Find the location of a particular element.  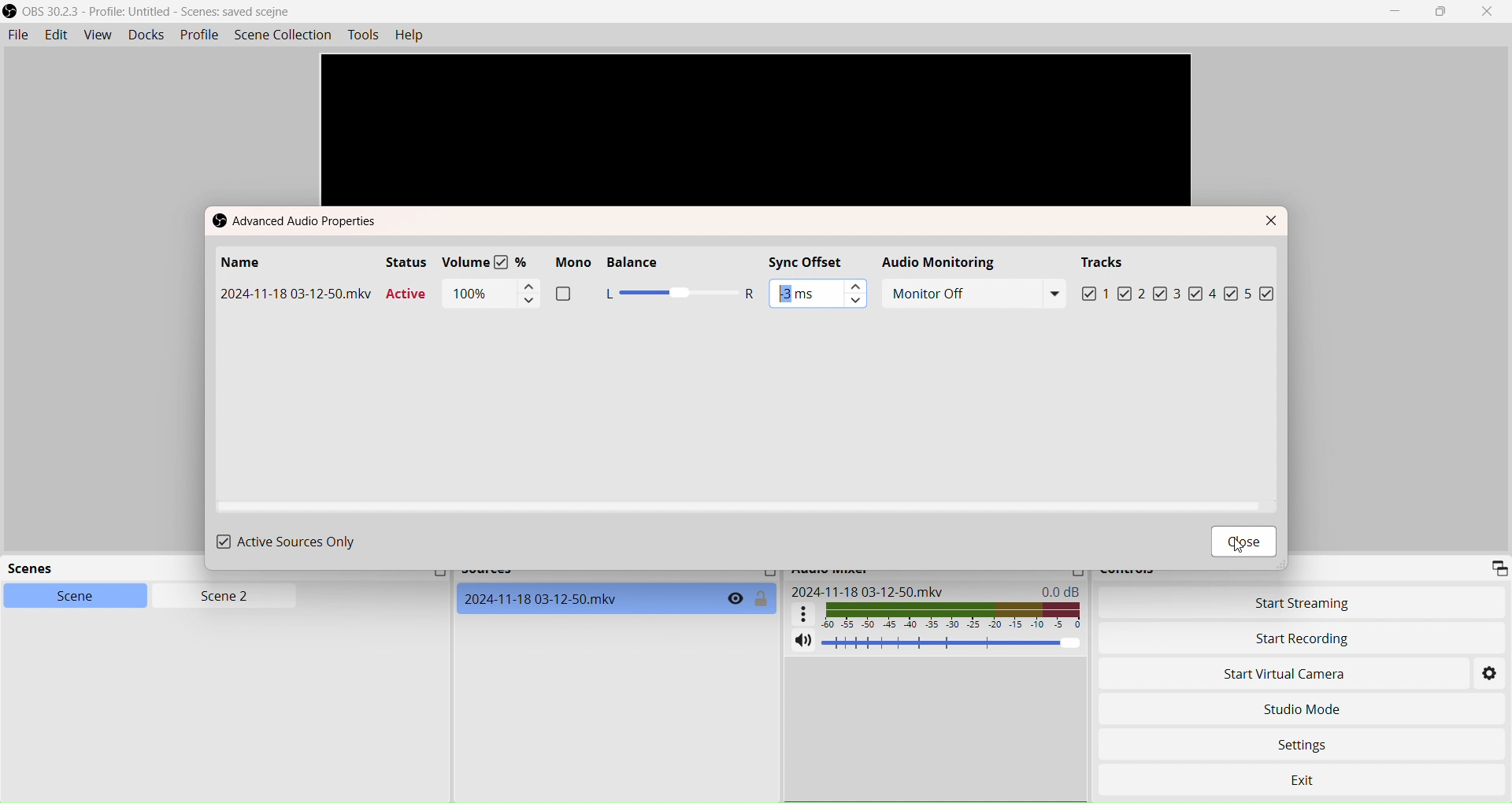

Tracks is located at coordinates (1106, 263).